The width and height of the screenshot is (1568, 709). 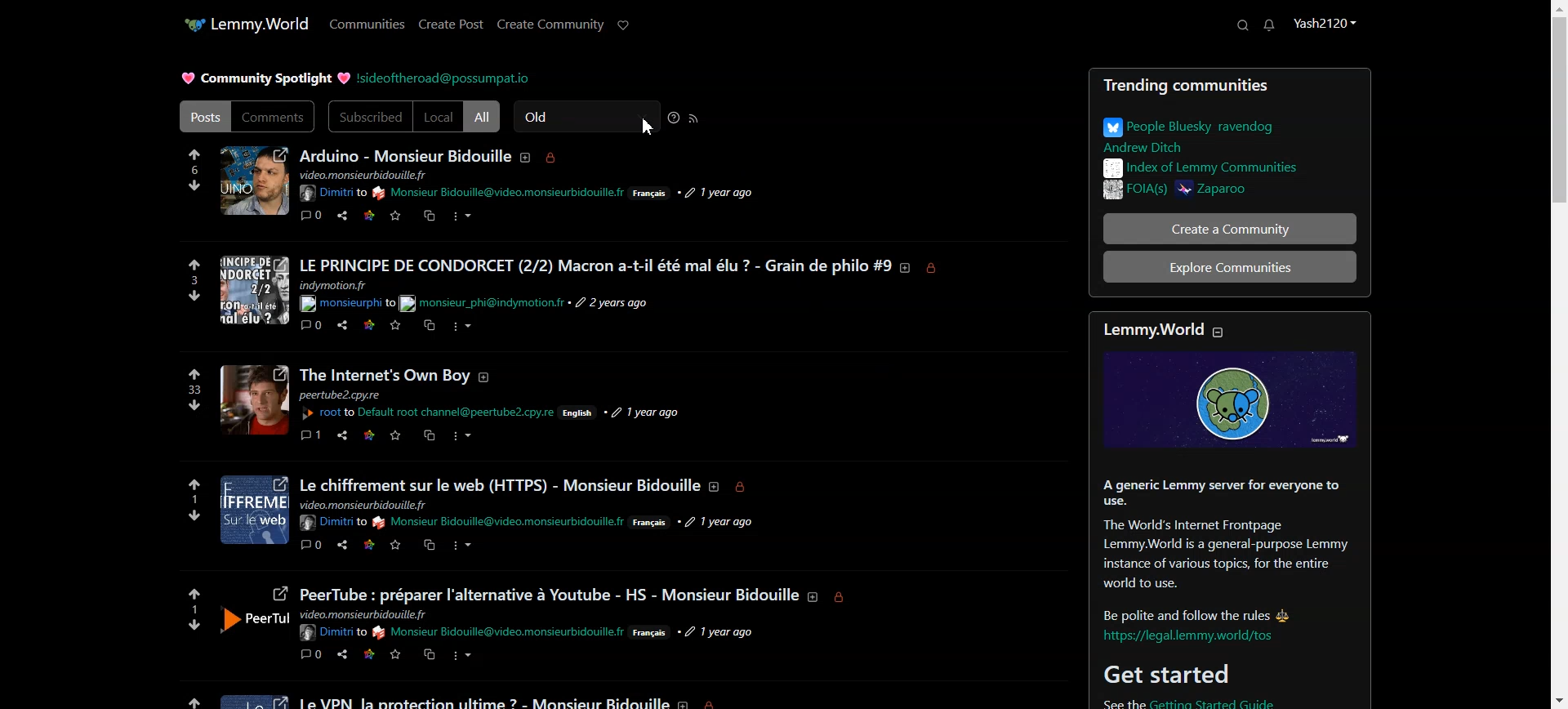 I want to click on text, so click(x=395, y=174).